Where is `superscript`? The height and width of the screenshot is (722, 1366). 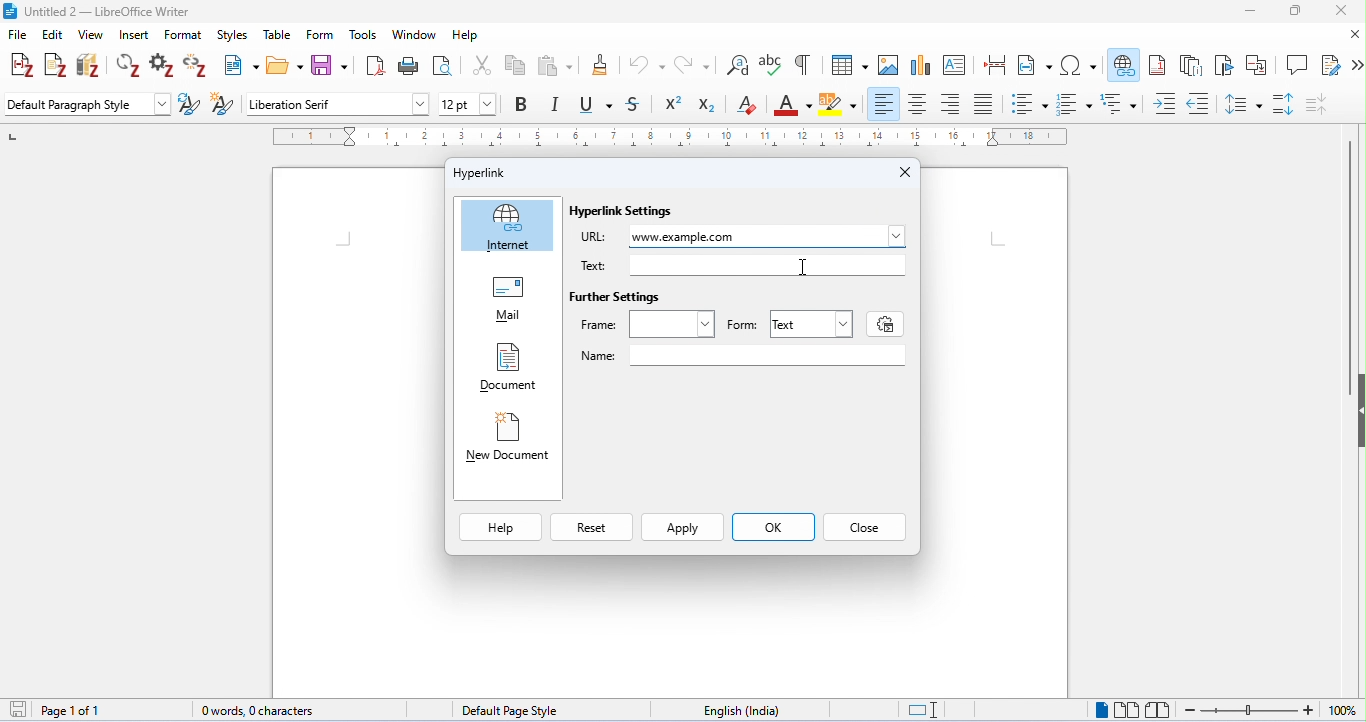 superscript is located at coordinates (674, 104).